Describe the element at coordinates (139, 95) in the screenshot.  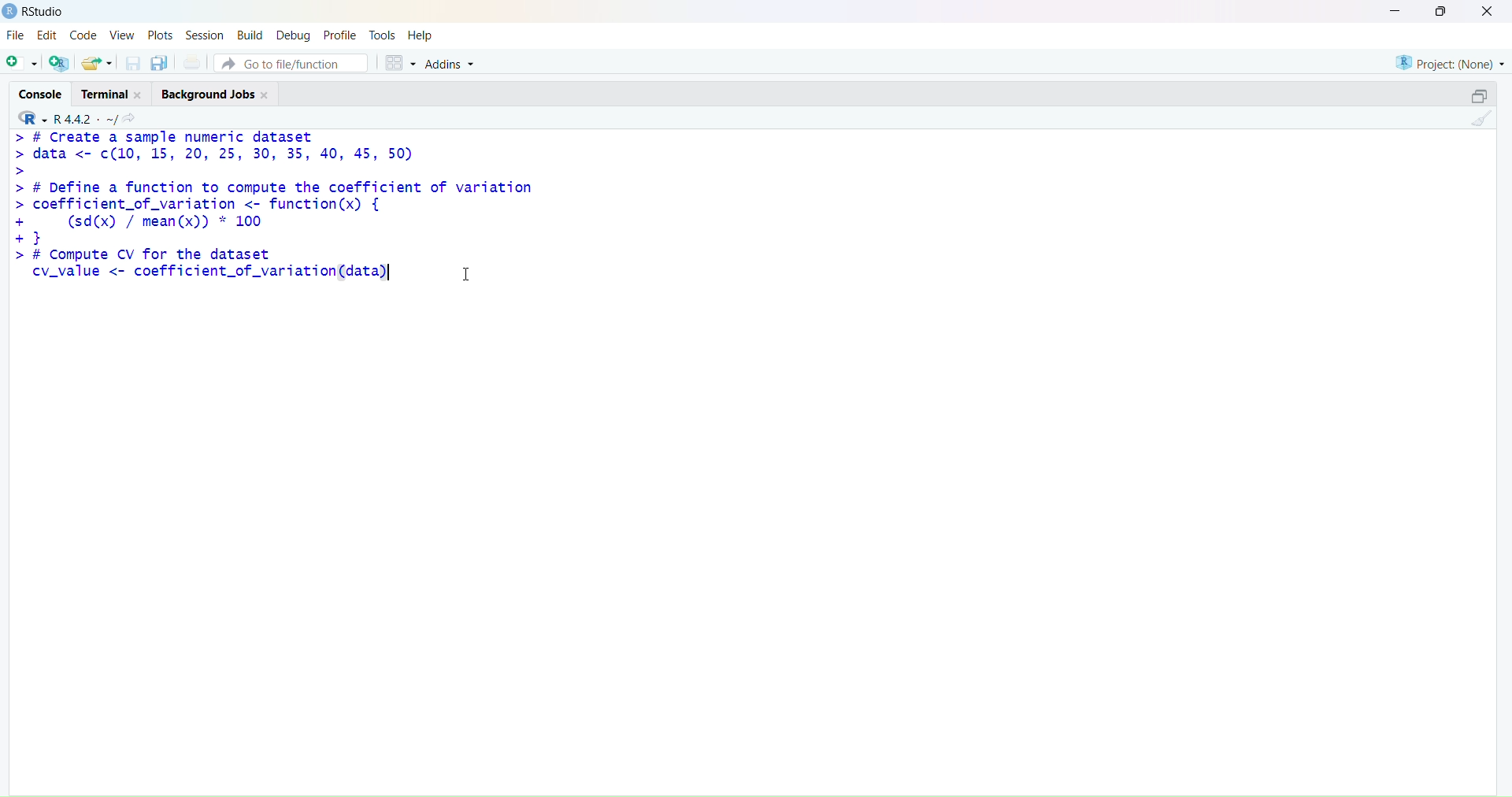
I see `Close ` at that location.